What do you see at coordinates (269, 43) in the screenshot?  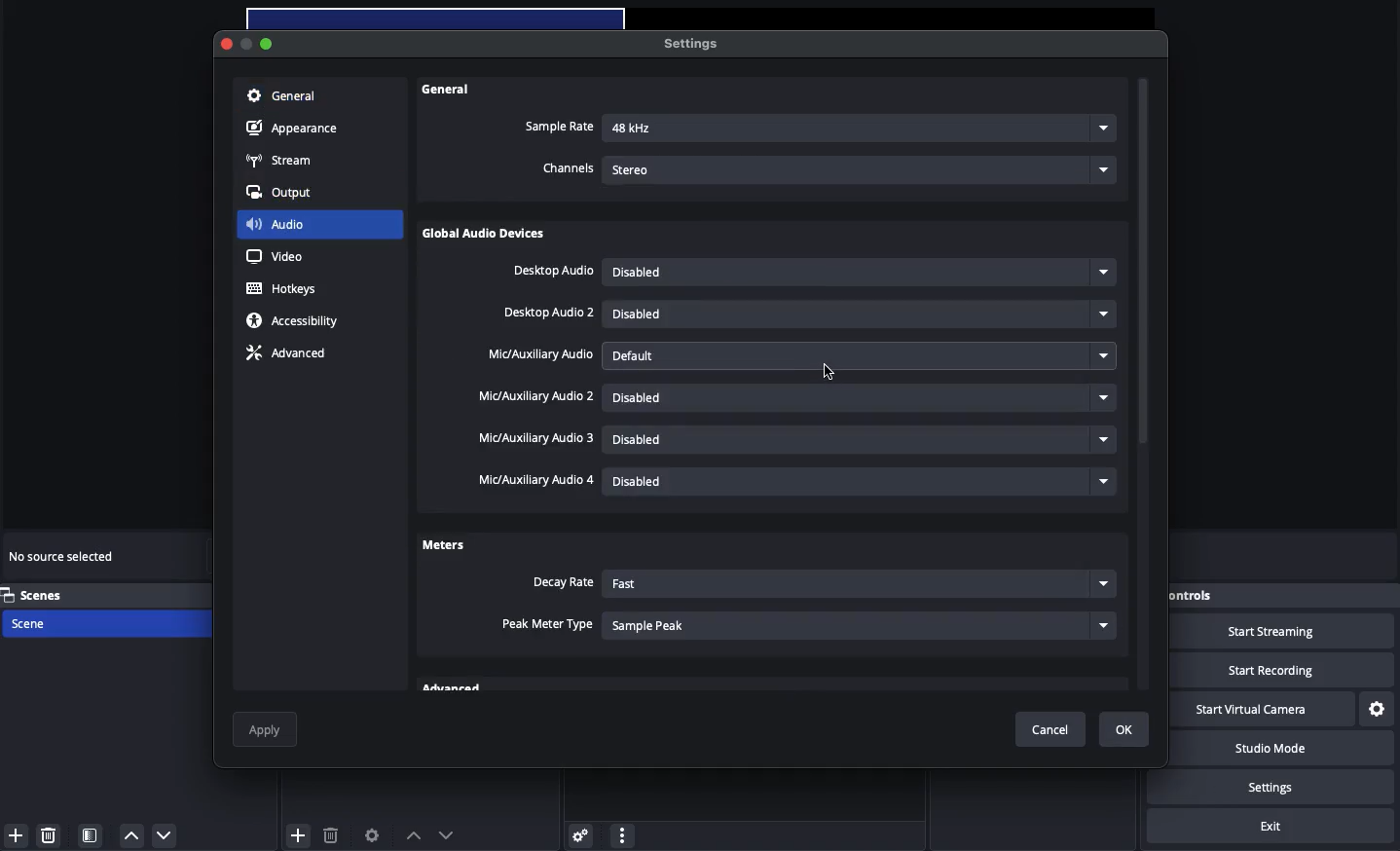 I see `Maximize` at bounding box center [269, 43].